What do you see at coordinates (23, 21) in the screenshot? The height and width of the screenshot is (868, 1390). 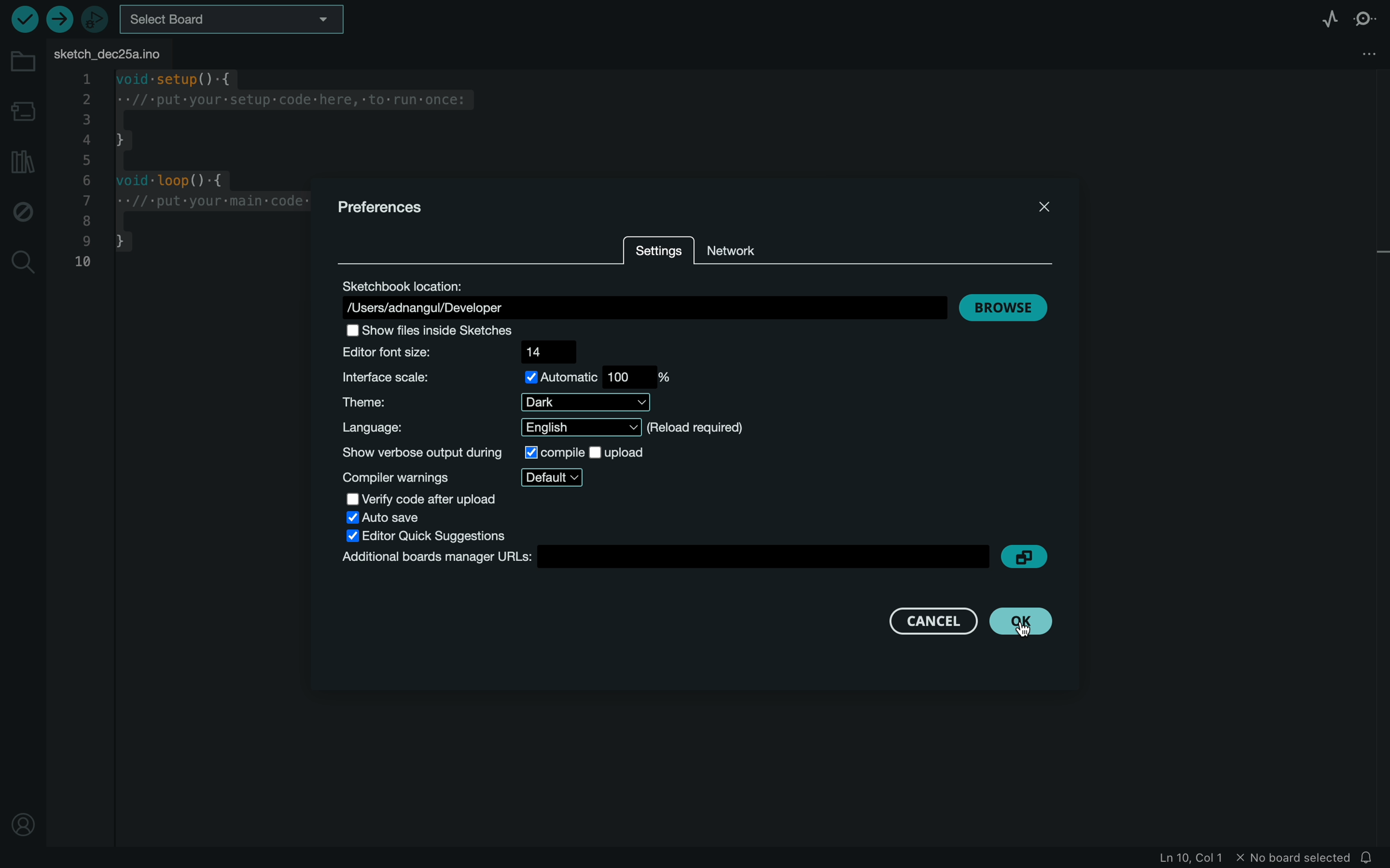 I see `verify` at bounding box center [23, 21].